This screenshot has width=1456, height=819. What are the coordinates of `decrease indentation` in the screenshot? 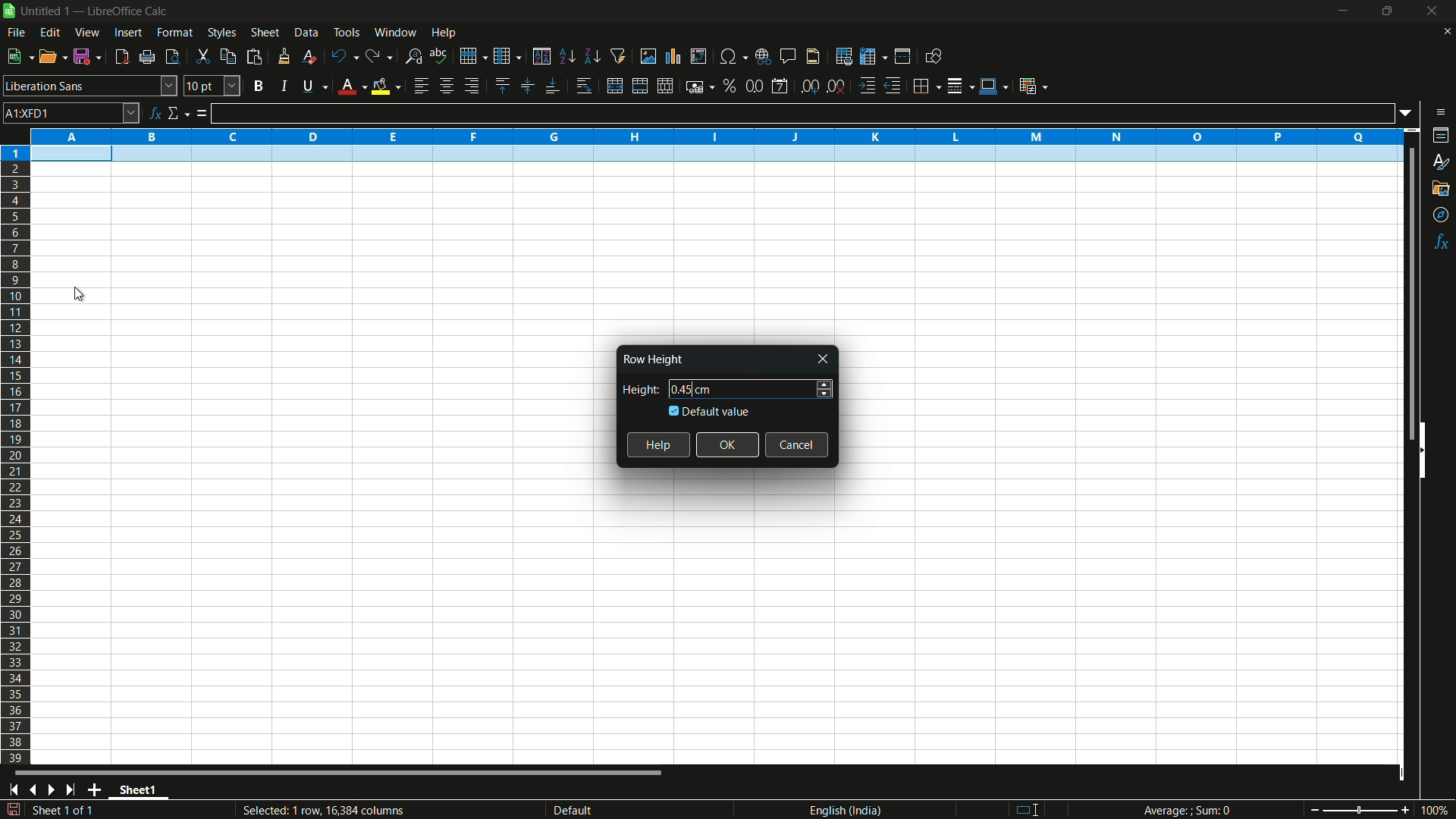 It's located at (894, 86).